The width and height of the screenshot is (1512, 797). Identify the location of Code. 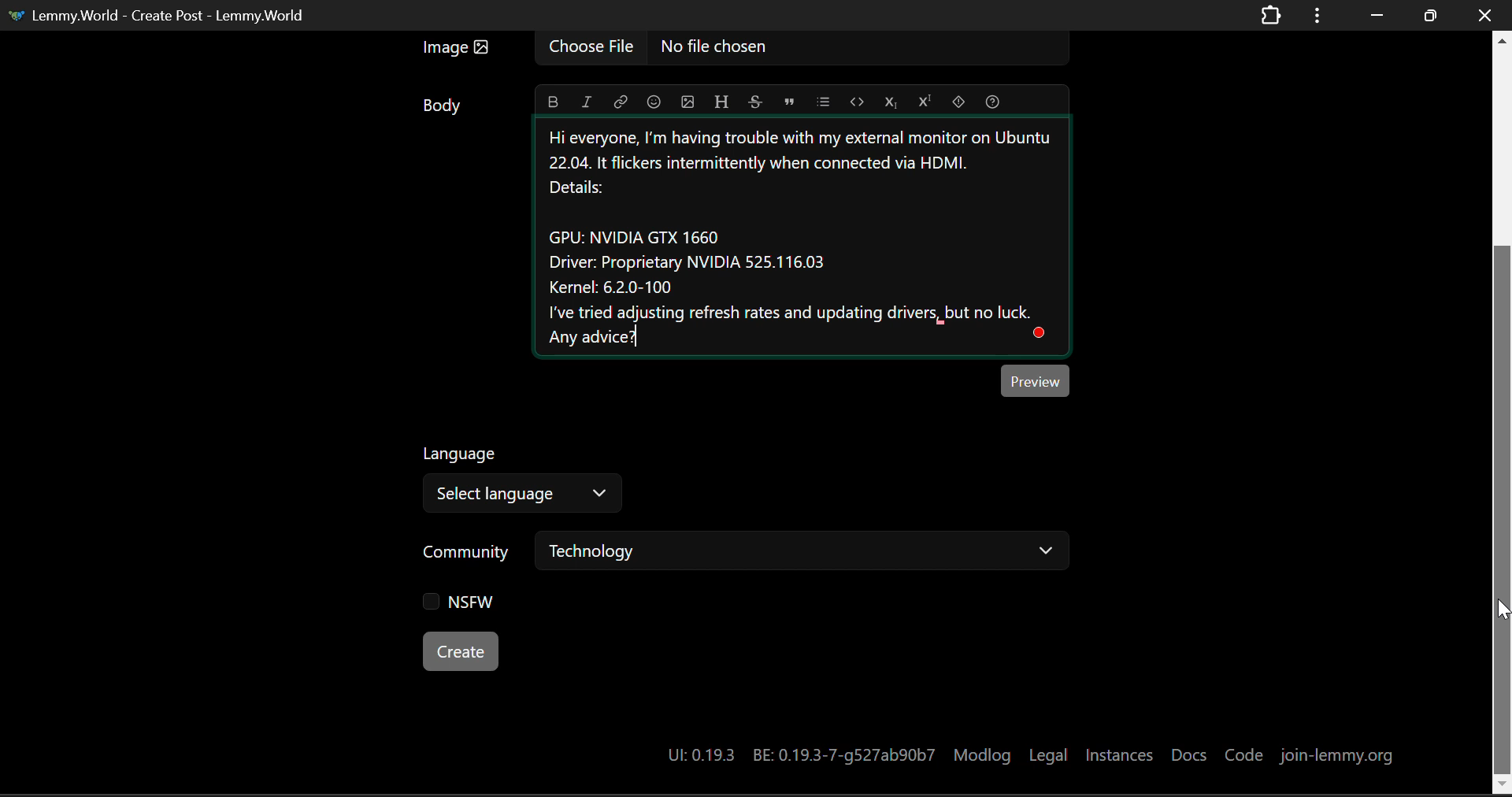
(857, 101).